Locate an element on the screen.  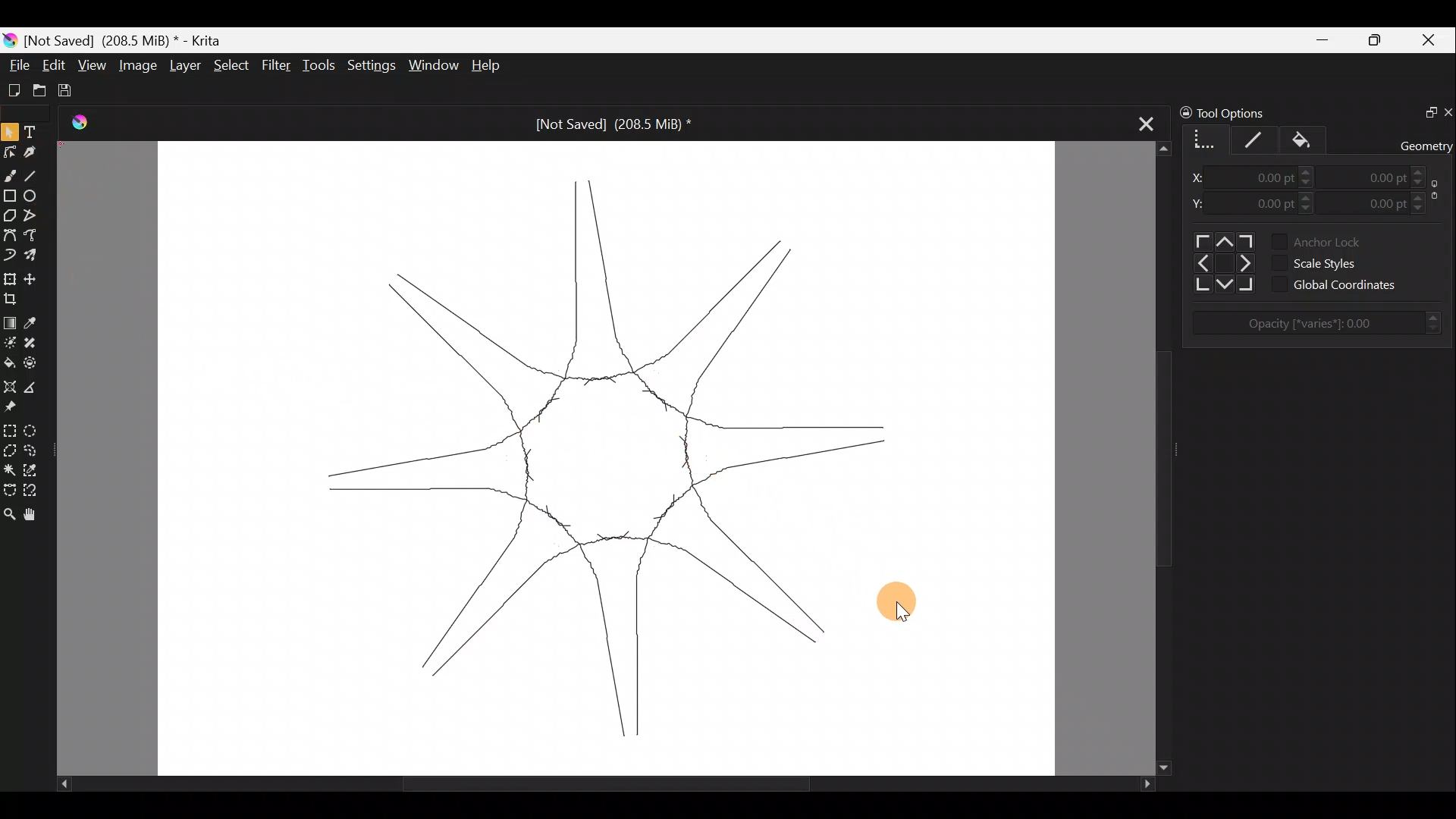
Similar color selection tool is located at coordinates (33, 469).